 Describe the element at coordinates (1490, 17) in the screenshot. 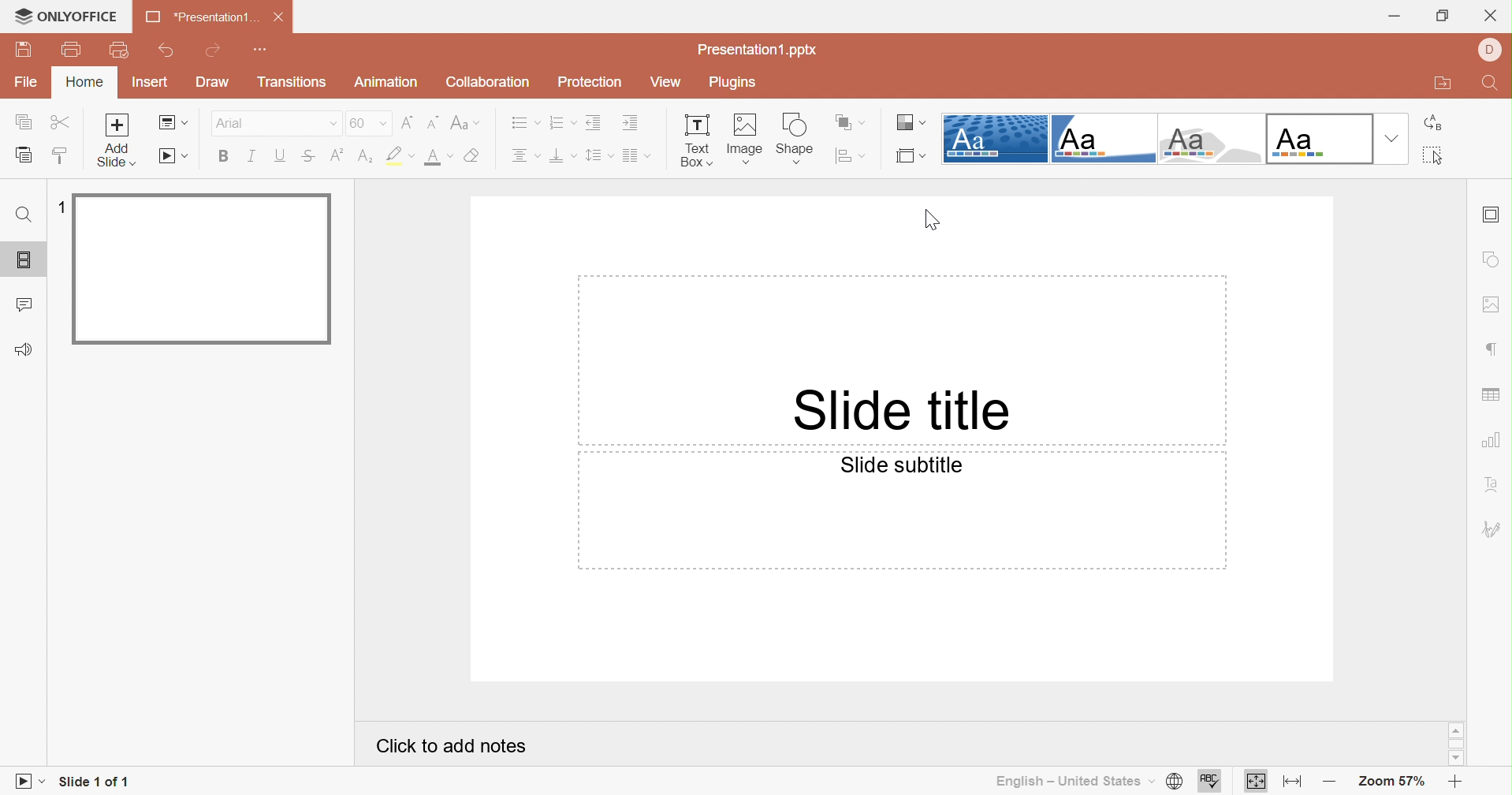

I see `Close` at that location.